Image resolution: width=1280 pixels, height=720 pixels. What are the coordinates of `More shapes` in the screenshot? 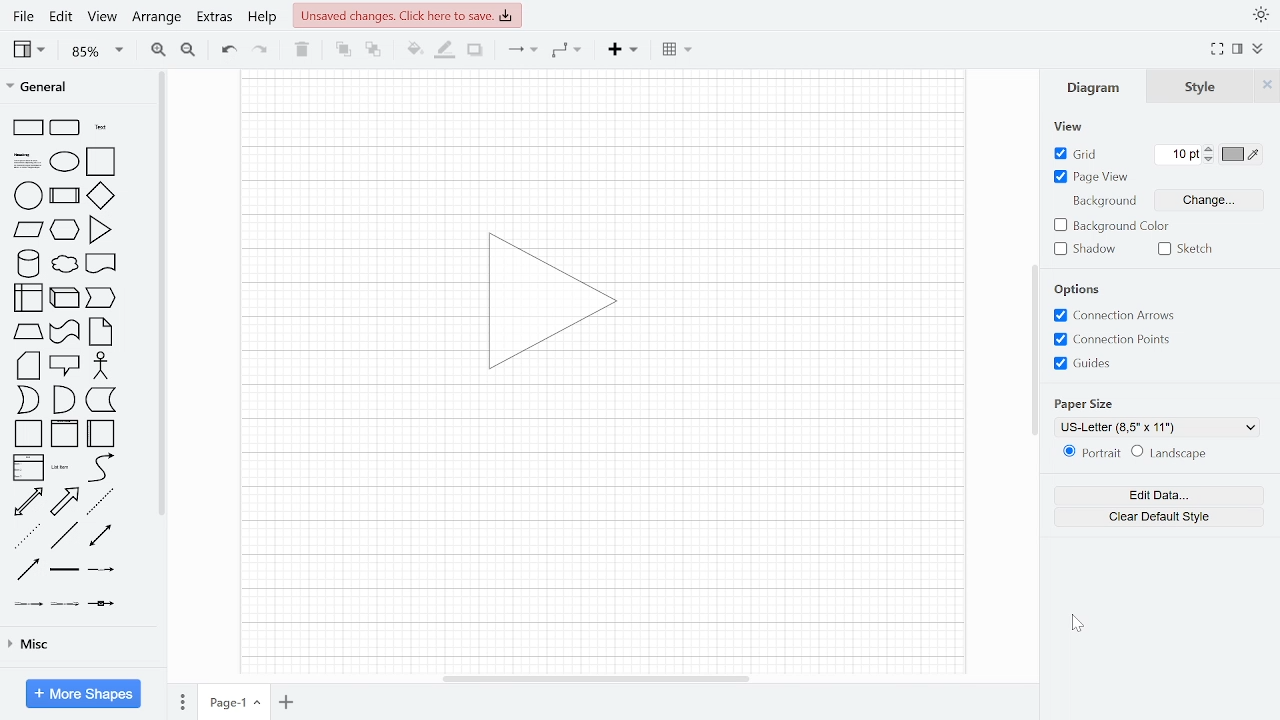 It's located at (83, 693).